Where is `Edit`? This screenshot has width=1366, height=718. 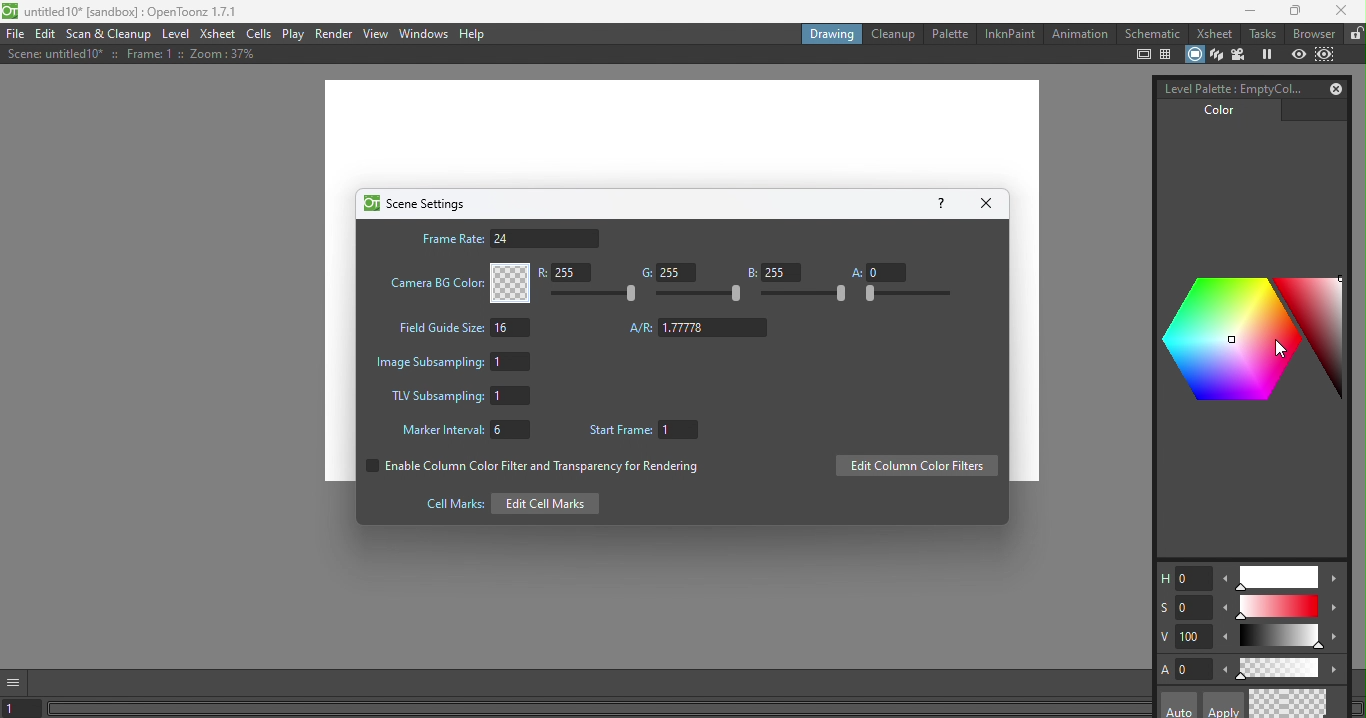 Edit is located at coordinates (48, 35).